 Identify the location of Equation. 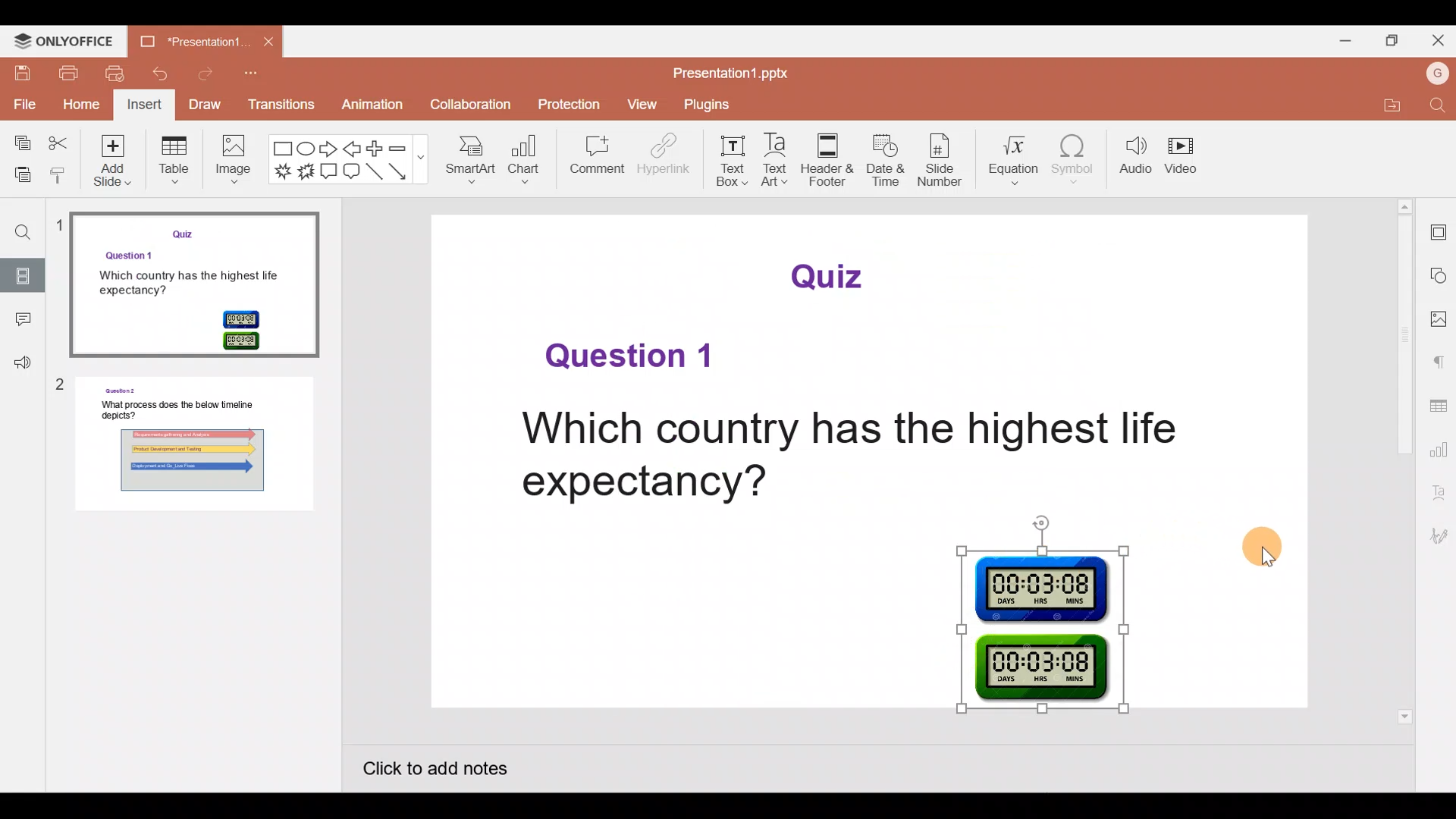
(1014, 158).